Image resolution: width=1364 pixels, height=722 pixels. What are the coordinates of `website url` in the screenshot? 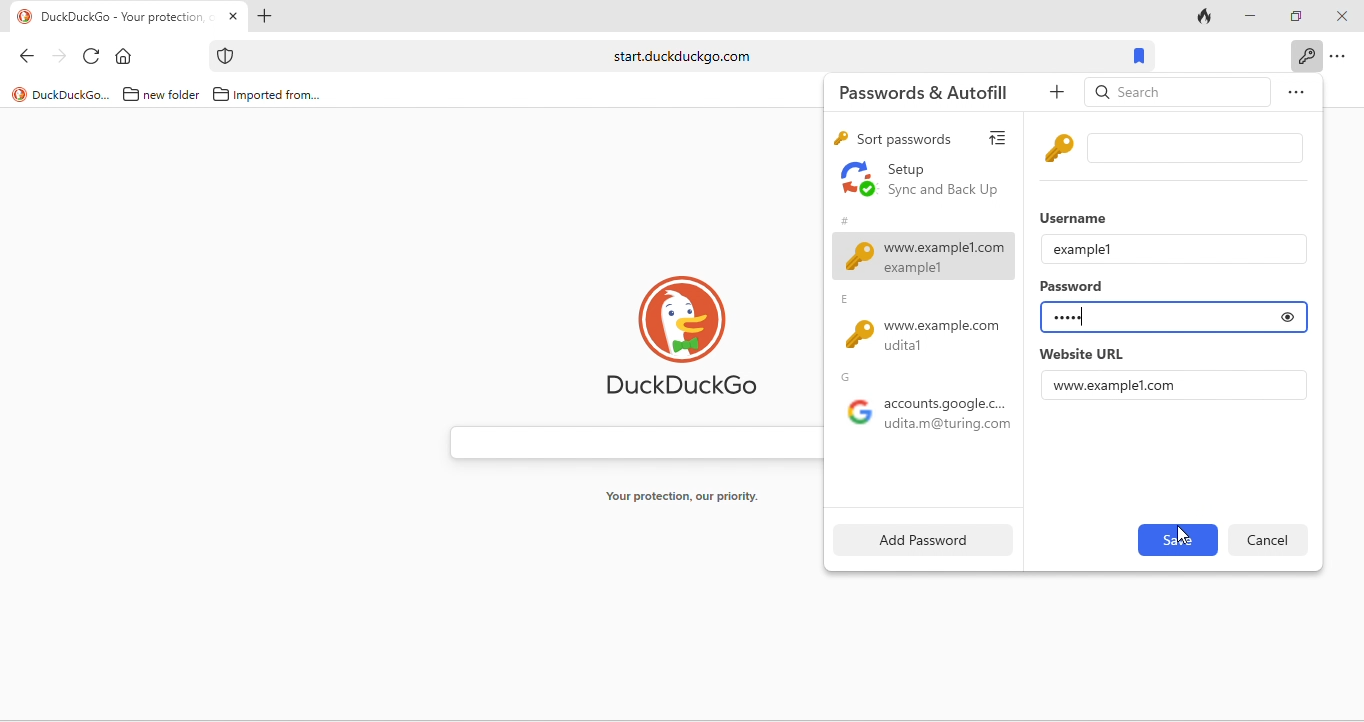 It's located at (1081, 354).